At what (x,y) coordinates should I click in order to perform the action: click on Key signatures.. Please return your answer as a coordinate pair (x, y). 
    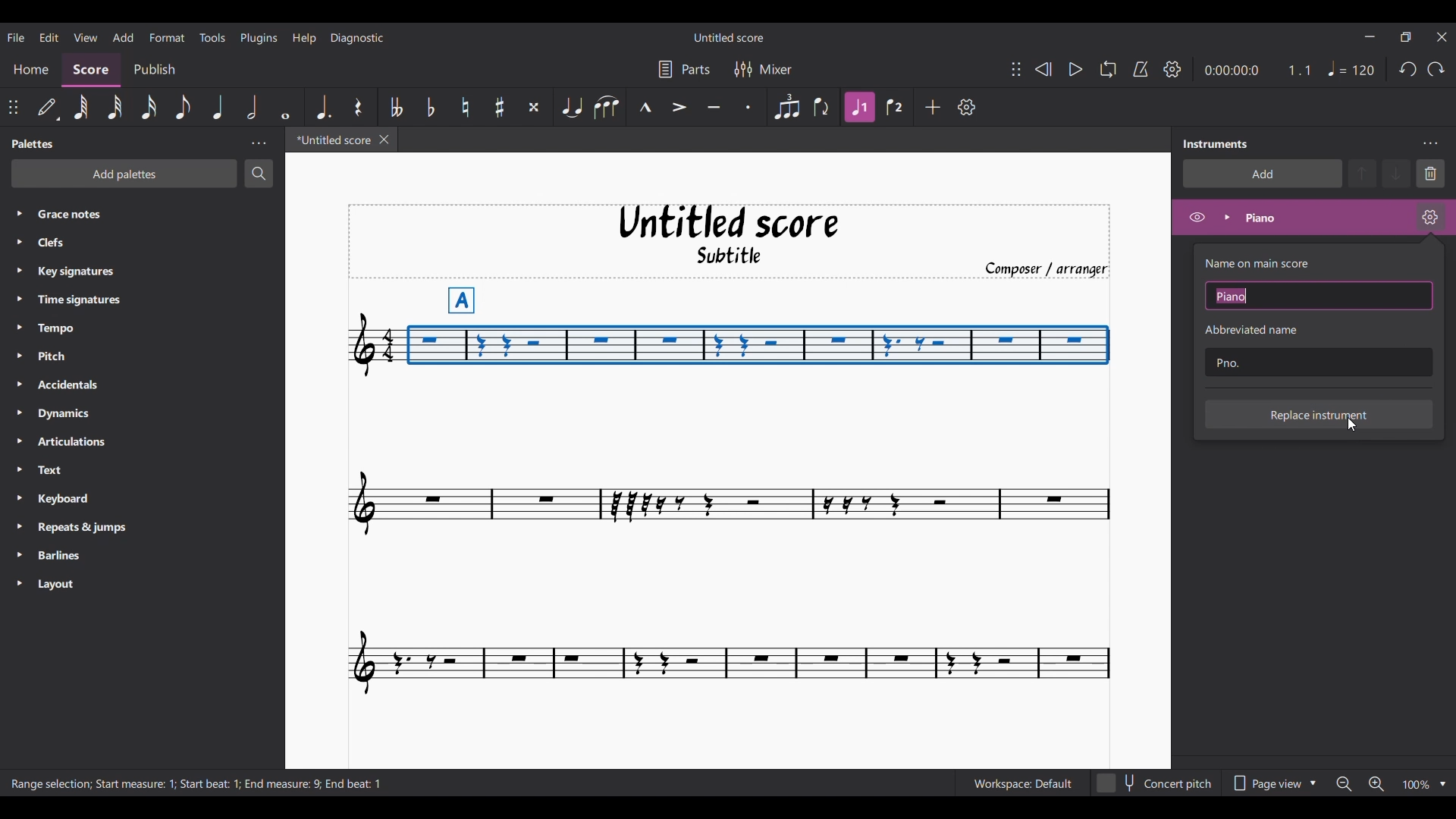
    Looking at the image, I should click on (89, 273).